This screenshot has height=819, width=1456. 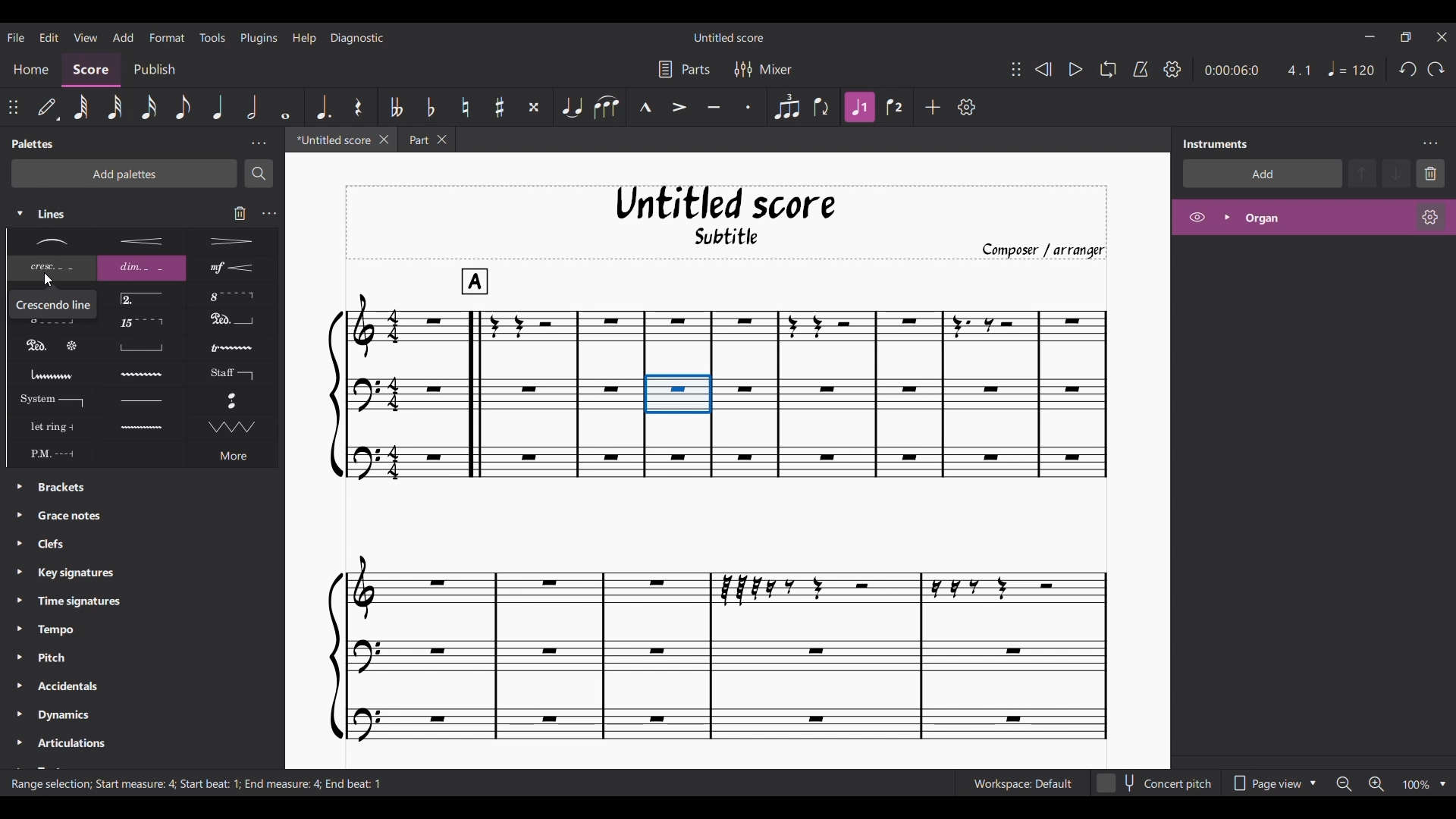 I want to click on Augmentation dot, so click(x=323, y=107).